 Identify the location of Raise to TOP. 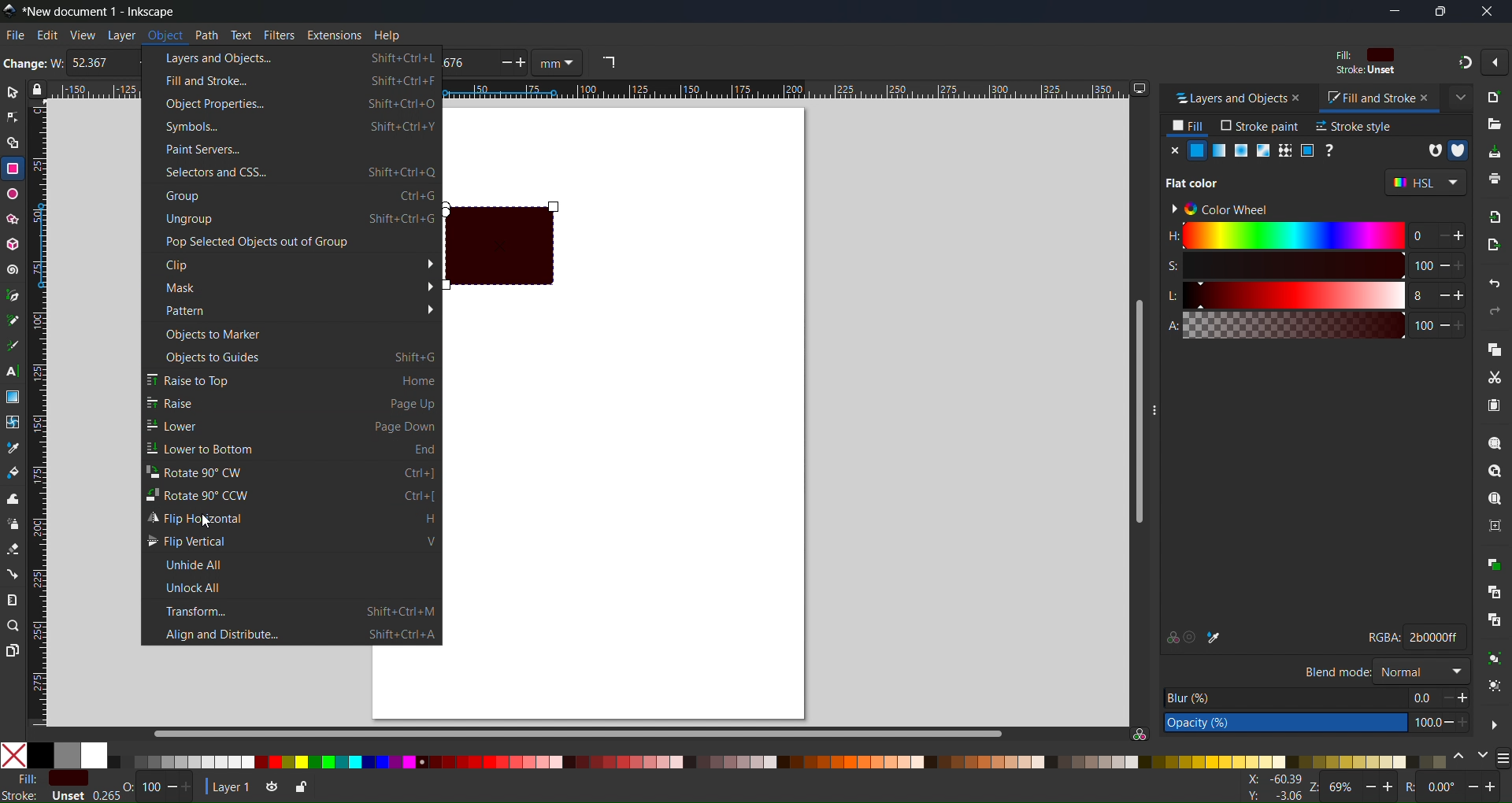
(292, 379).